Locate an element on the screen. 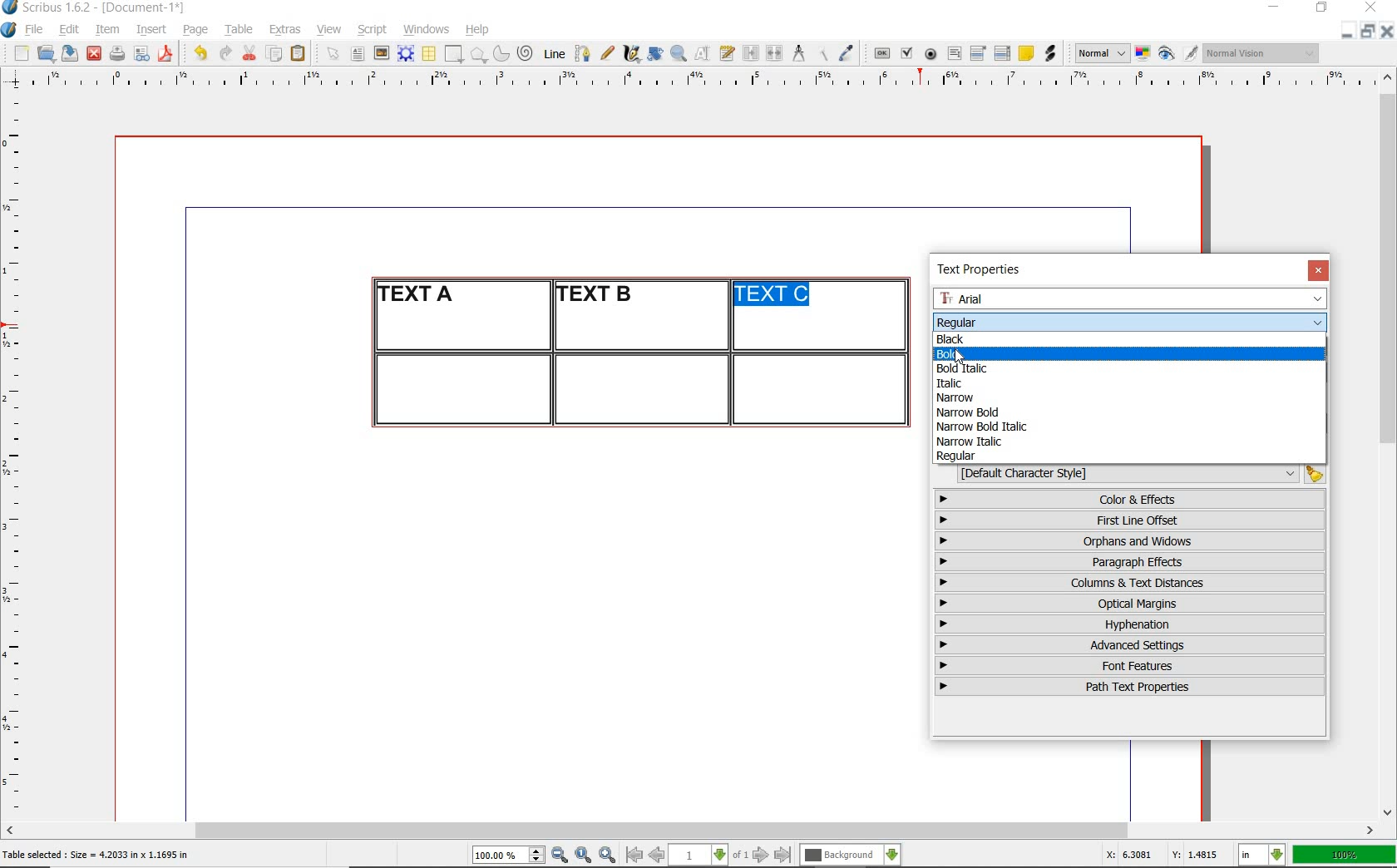 The height and width of the screenshot is (868, 1397). restore is located at coordinates (1322, 8).